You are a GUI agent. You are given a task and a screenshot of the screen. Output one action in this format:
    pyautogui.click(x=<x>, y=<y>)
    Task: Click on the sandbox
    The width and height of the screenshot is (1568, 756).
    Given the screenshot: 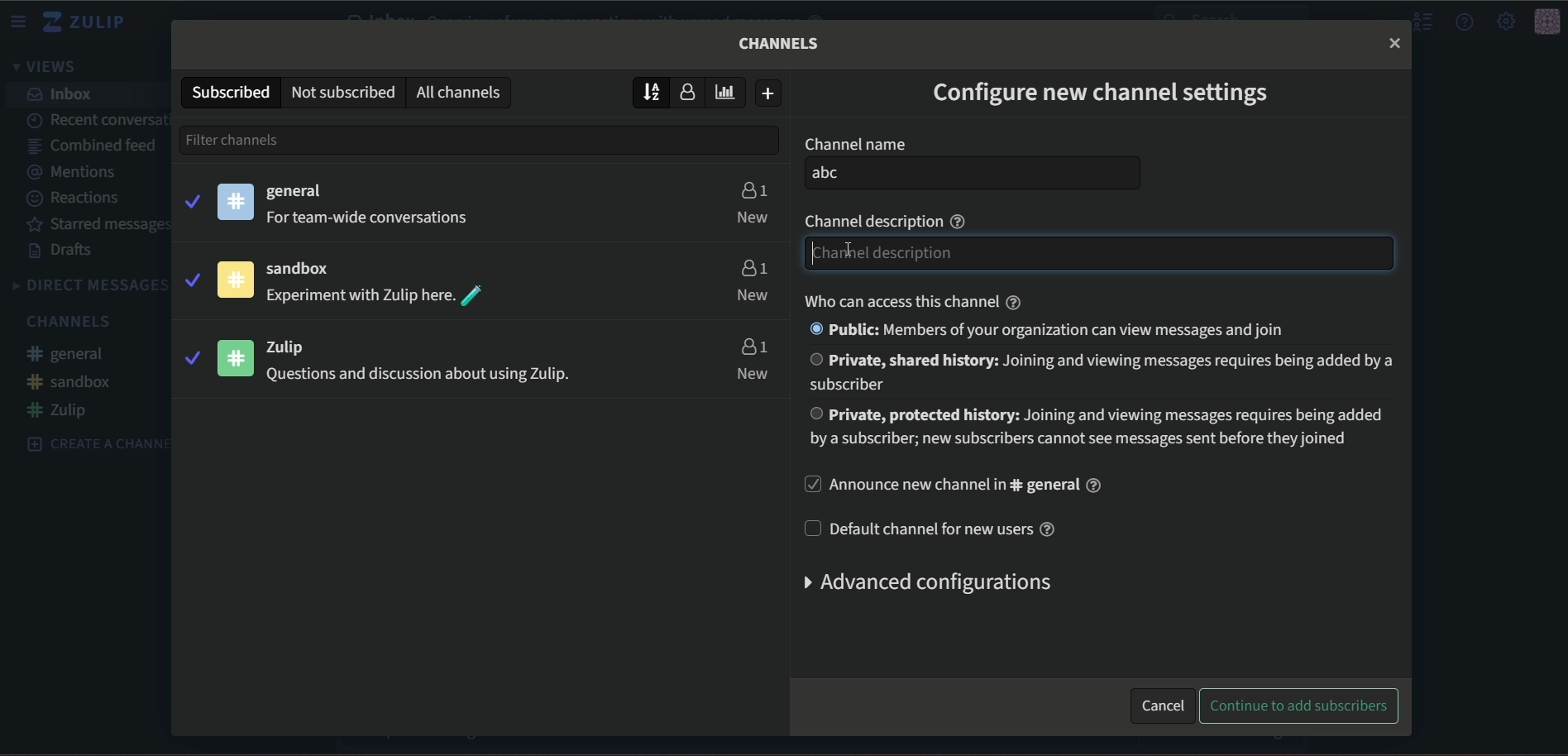 What is the action you would take?
    pyautogui.click(x=308, y=268)
    